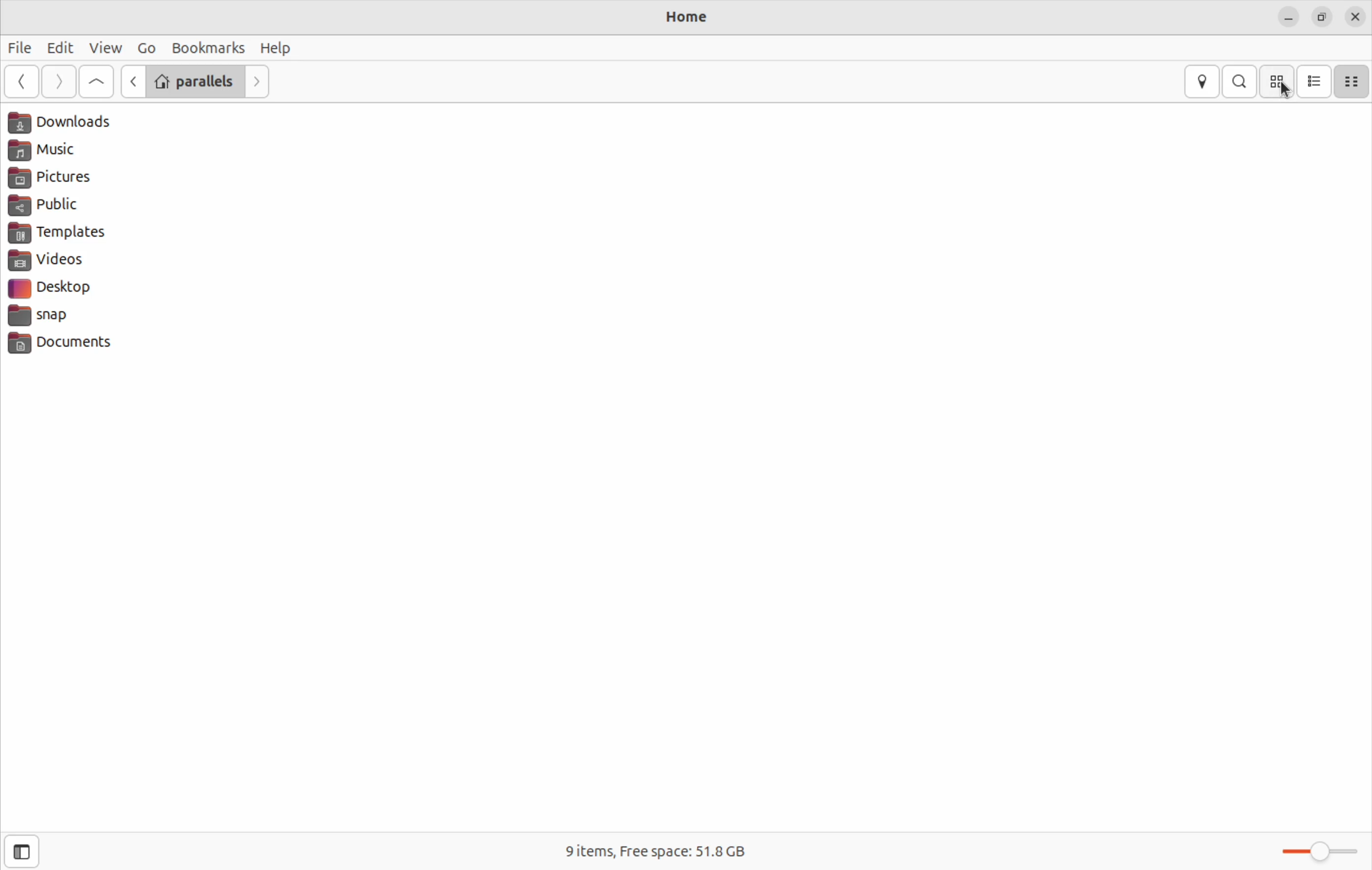 The image size is (1372, 870). I want to click on toggle zoom, so click(1318, 851).